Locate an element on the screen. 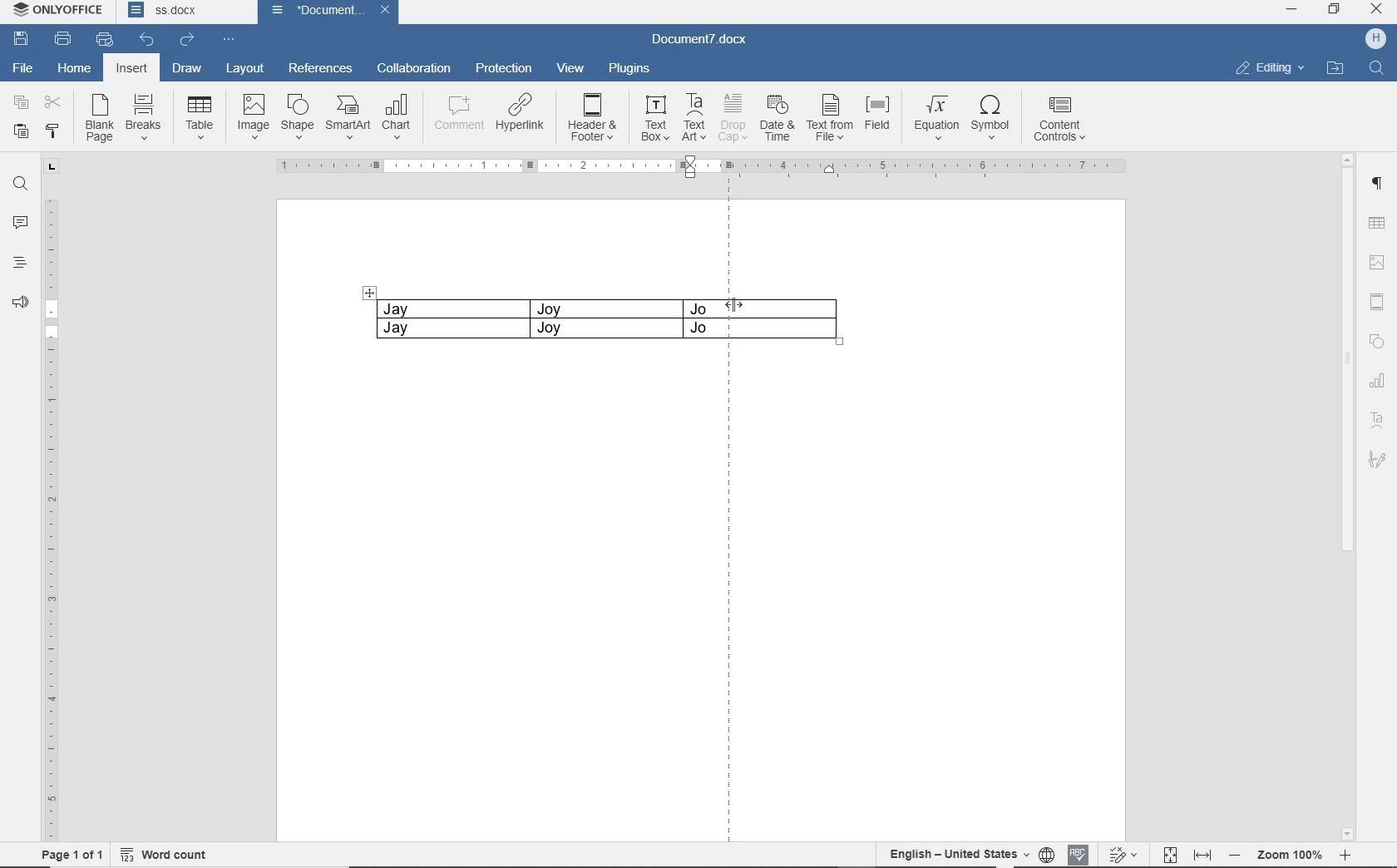 The image size is (1397, 868). FEEDBACK & SUPPORT is located at coordinates (20, 302).